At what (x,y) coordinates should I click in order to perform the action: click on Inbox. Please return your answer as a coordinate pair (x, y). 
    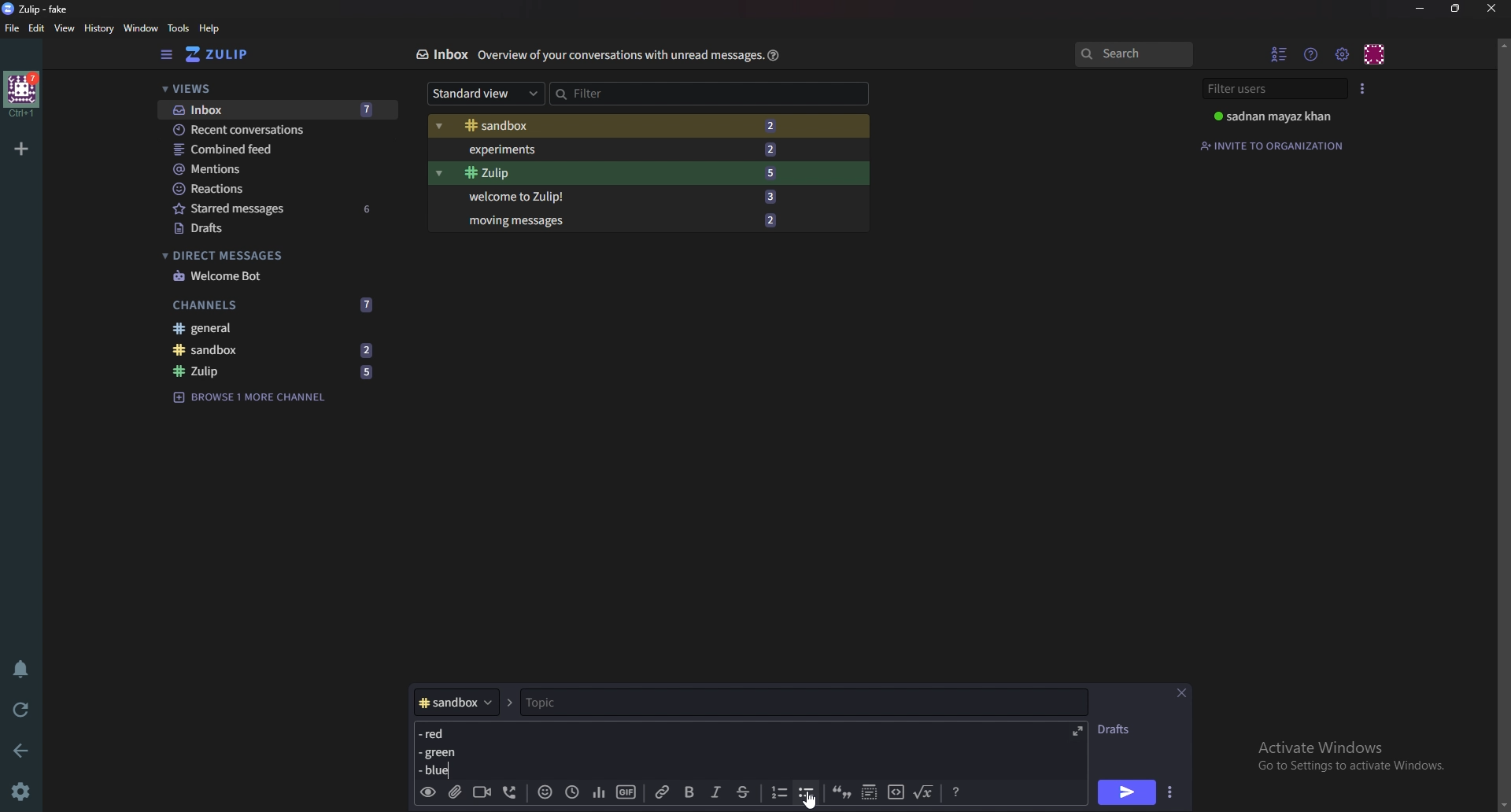
    Looking at the image, I should click on (441, 54).